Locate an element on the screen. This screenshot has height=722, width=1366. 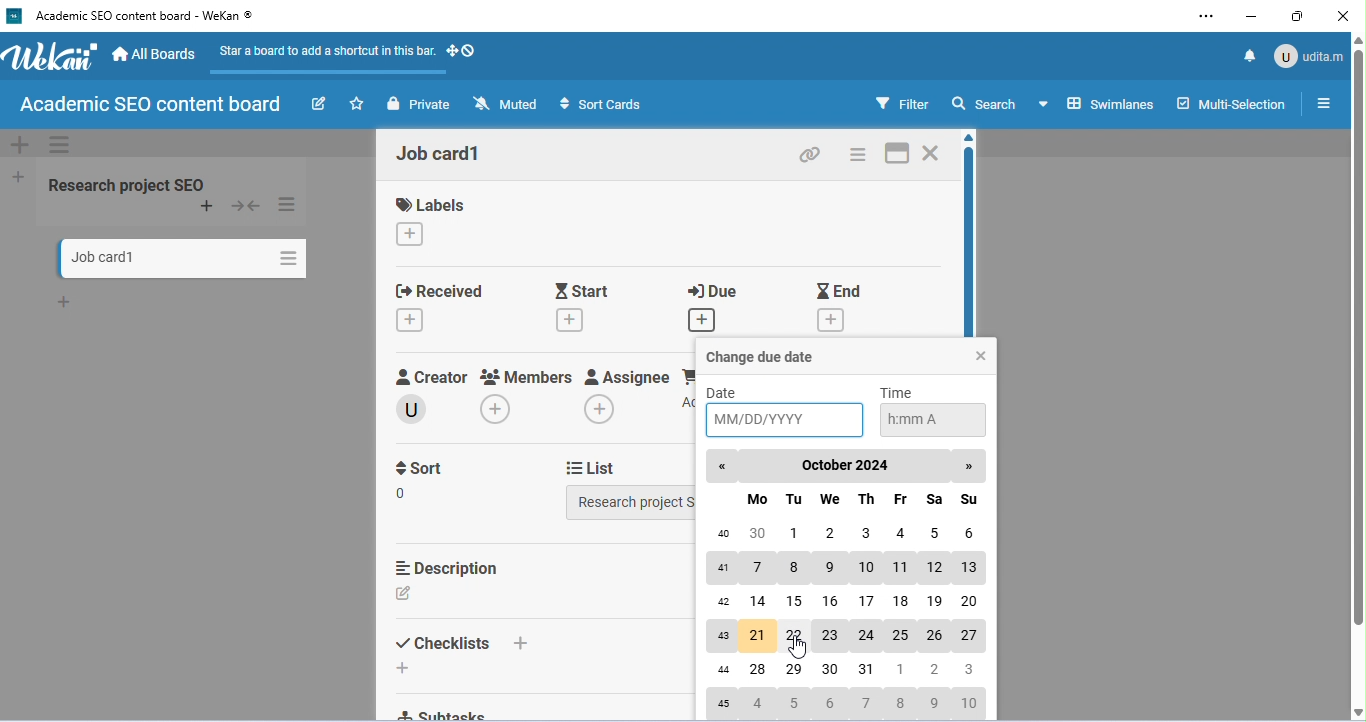
add swimelane is located at coordinates (21, 145).